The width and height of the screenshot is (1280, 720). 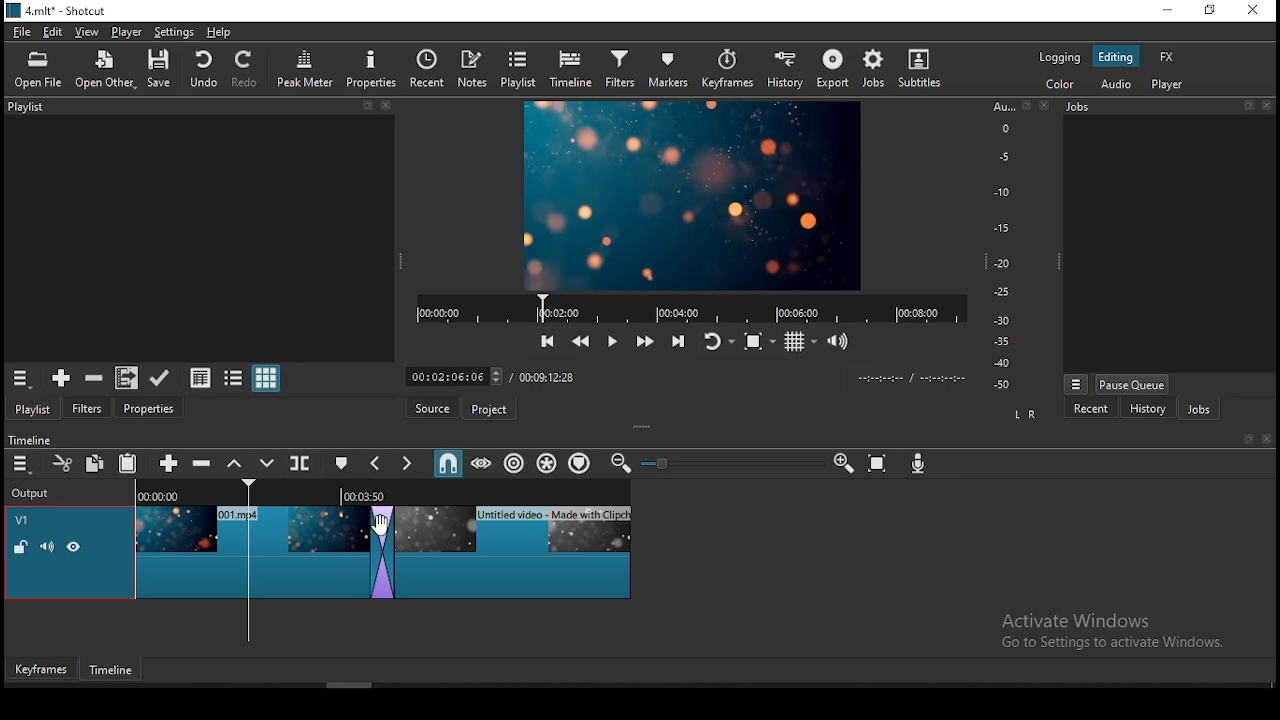 I want to click on play/pause, so click(x=613, y=338).